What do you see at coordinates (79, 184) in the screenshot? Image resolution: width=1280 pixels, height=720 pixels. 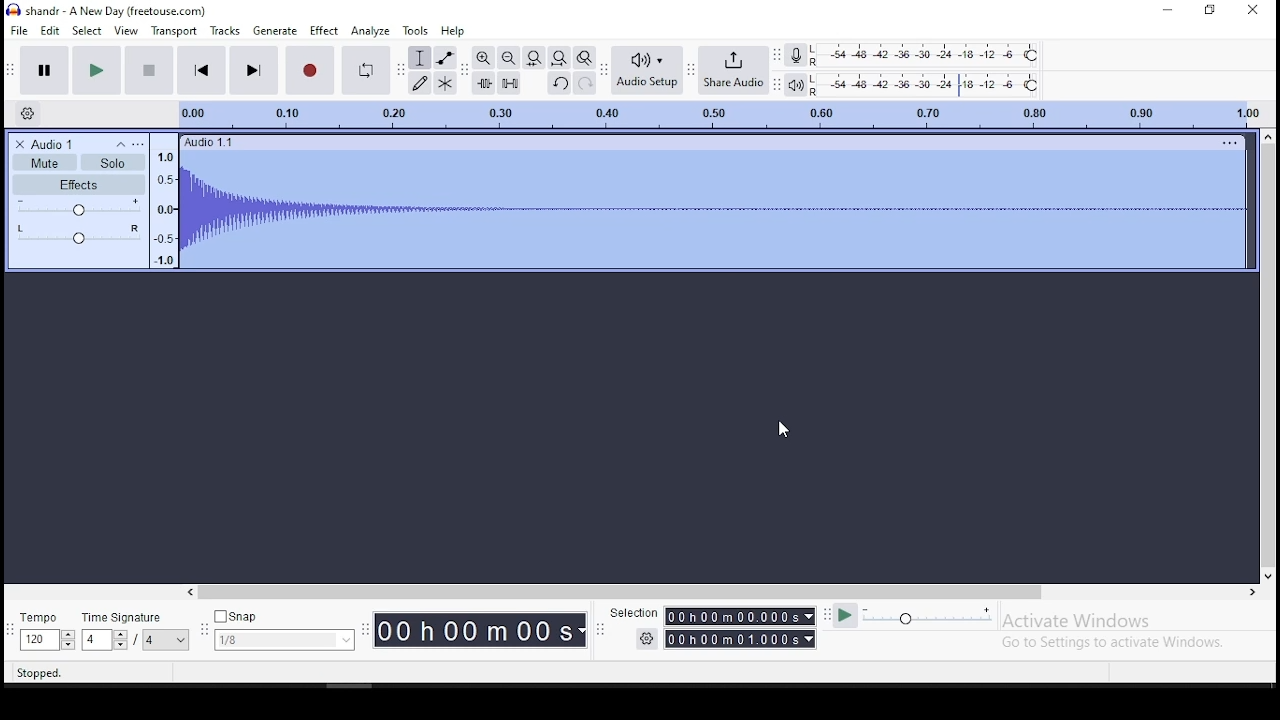 I see `effects` at bounding box center [79, 184].